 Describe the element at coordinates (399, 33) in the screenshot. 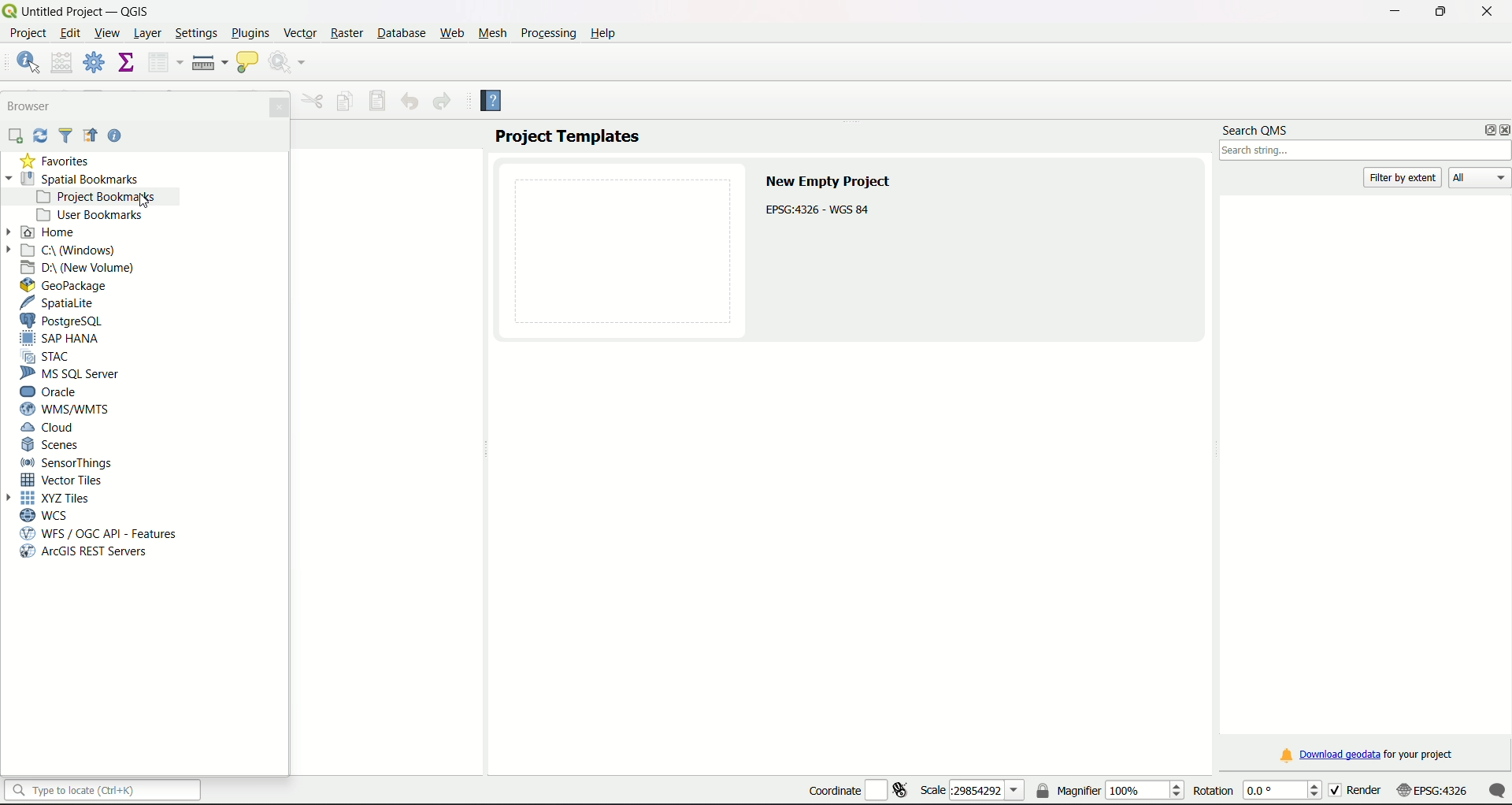

I see `Database` at that location.